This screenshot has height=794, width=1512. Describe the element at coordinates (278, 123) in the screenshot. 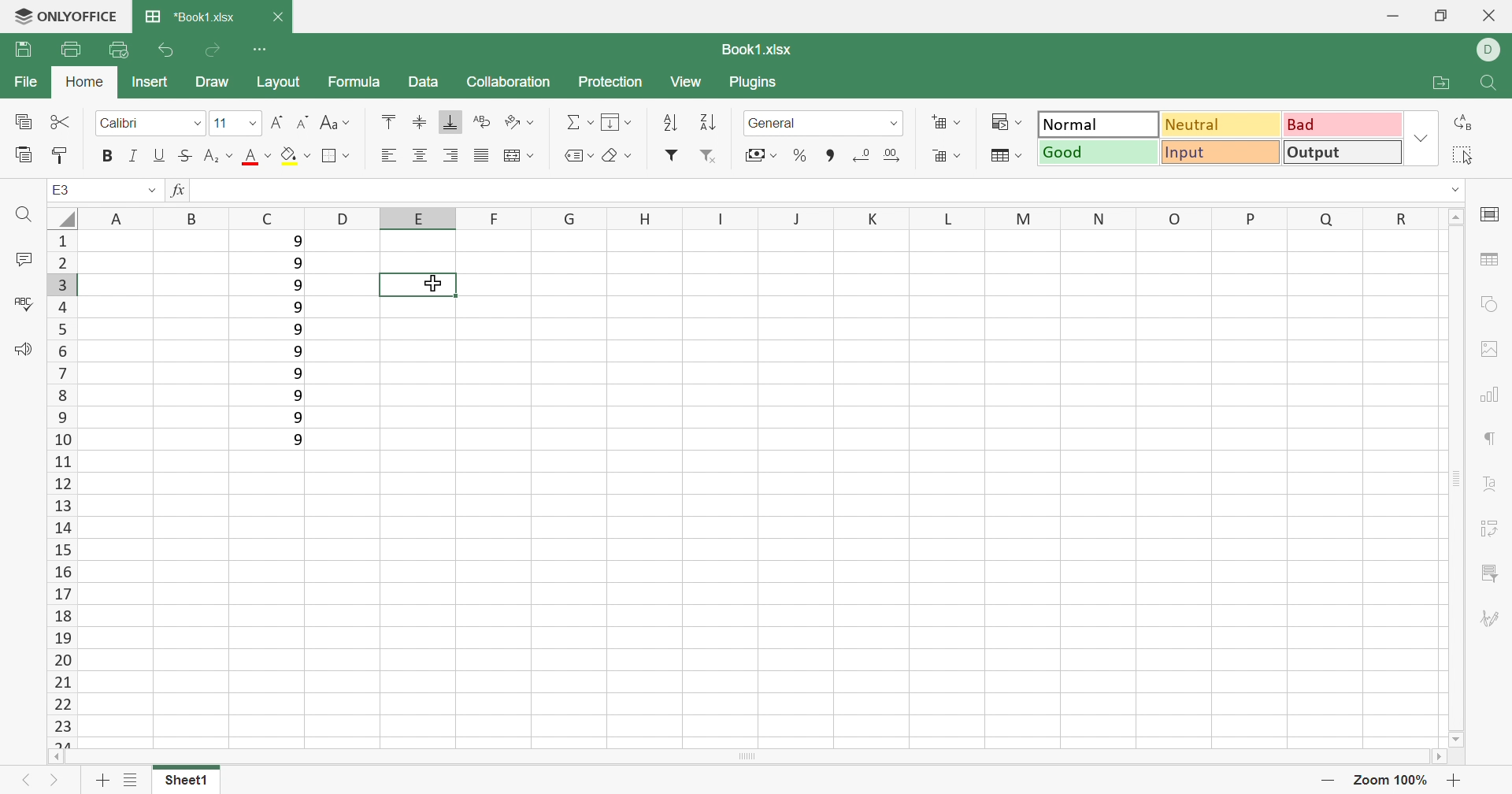

I see `Increment Font size` at that location.